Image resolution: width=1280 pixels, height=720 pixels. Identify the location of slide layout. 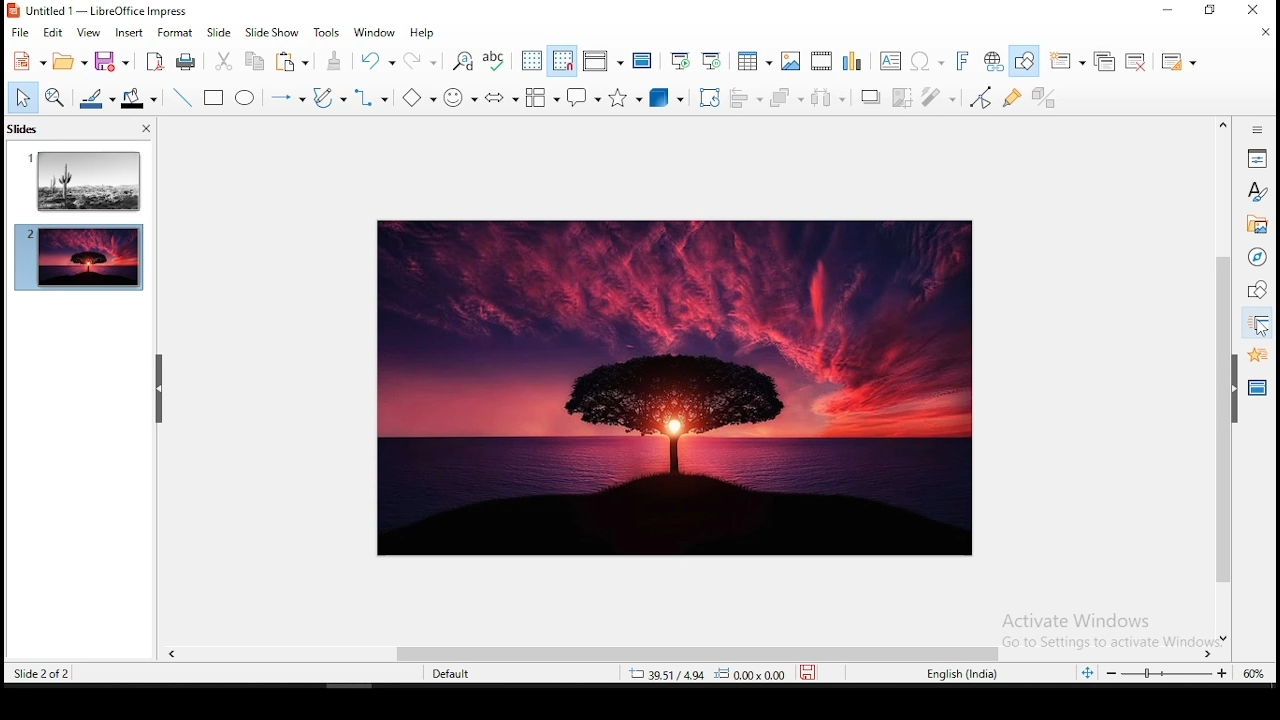
(1179, 60).